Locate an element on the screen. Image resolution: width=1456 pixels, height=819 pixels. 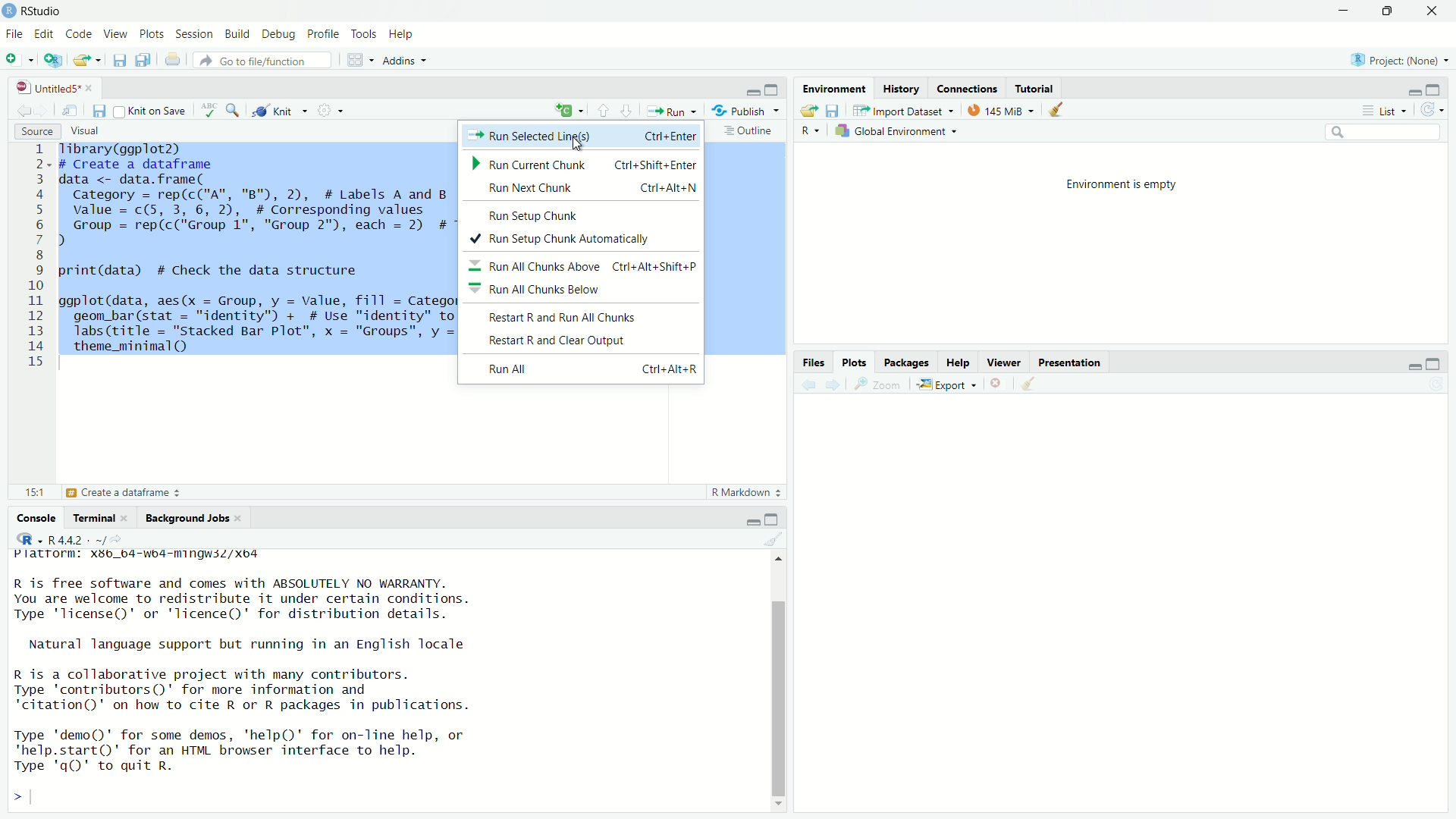
Profile is located at coordinates (324, 33).